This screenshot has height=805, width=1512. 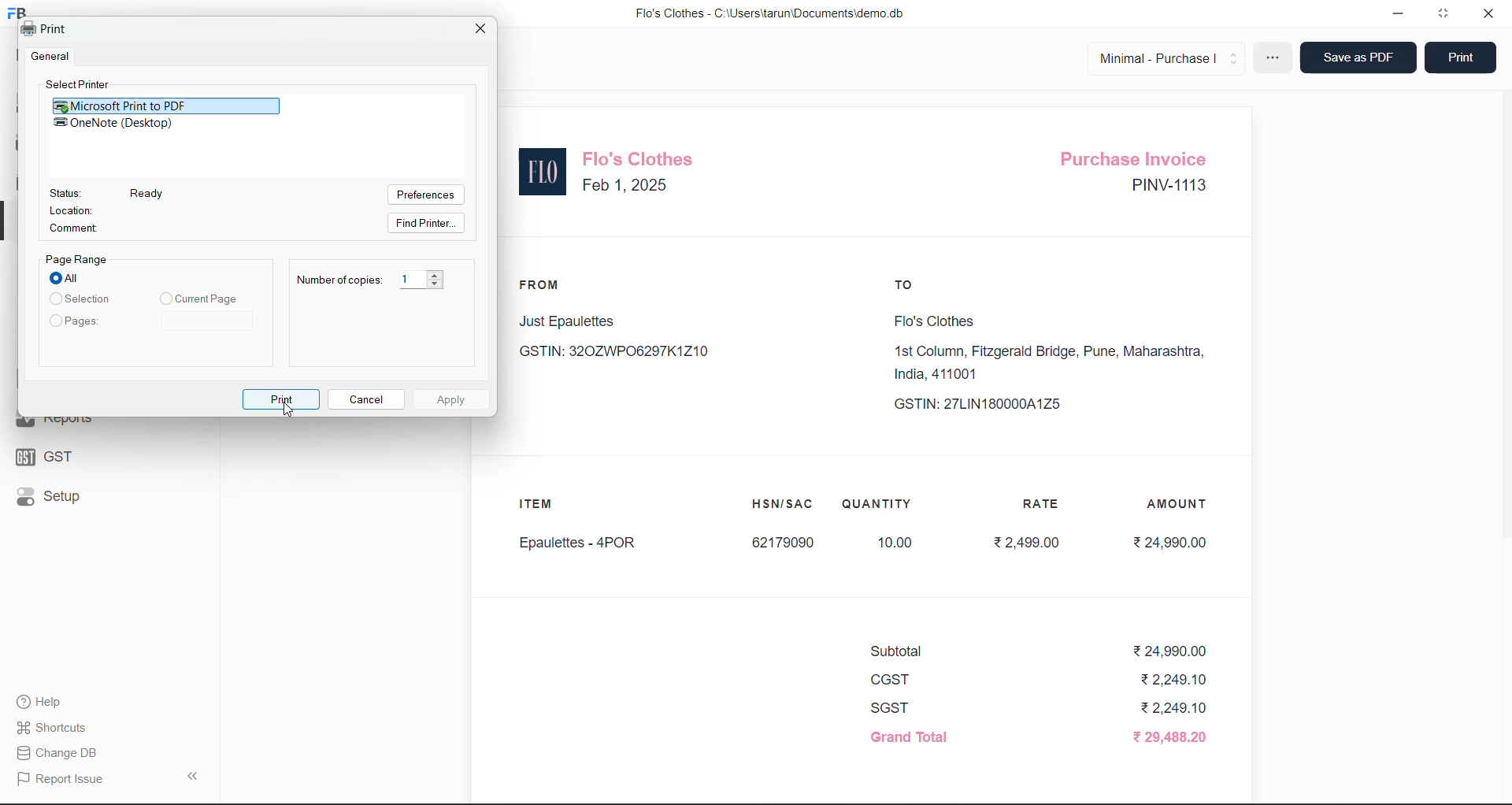 What do you see at coordinates (43, 31) in the screenshot?
I see ` Print` at bounding box center [43, 31].